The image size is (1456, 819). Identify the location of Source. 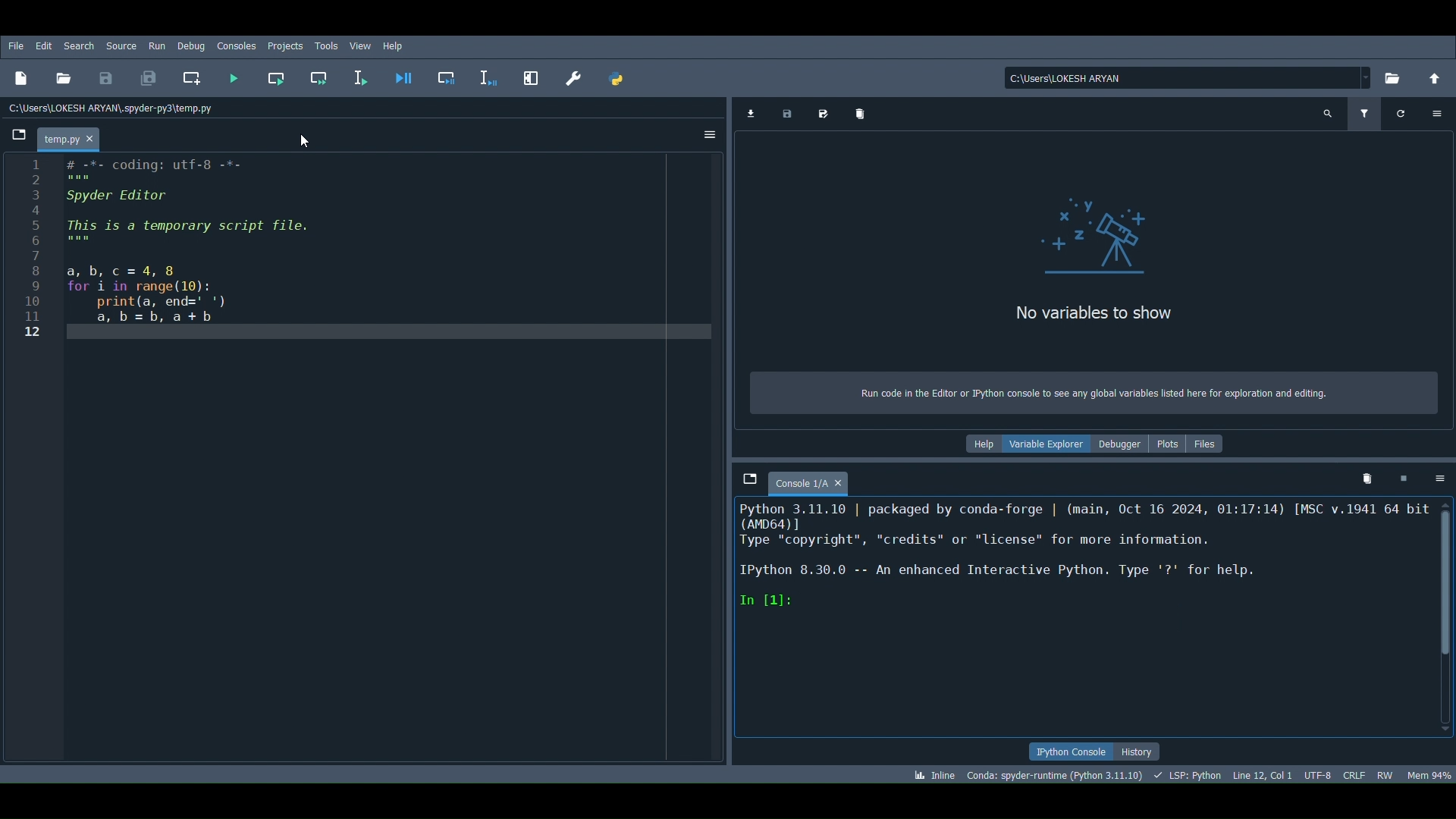
(121, 45).